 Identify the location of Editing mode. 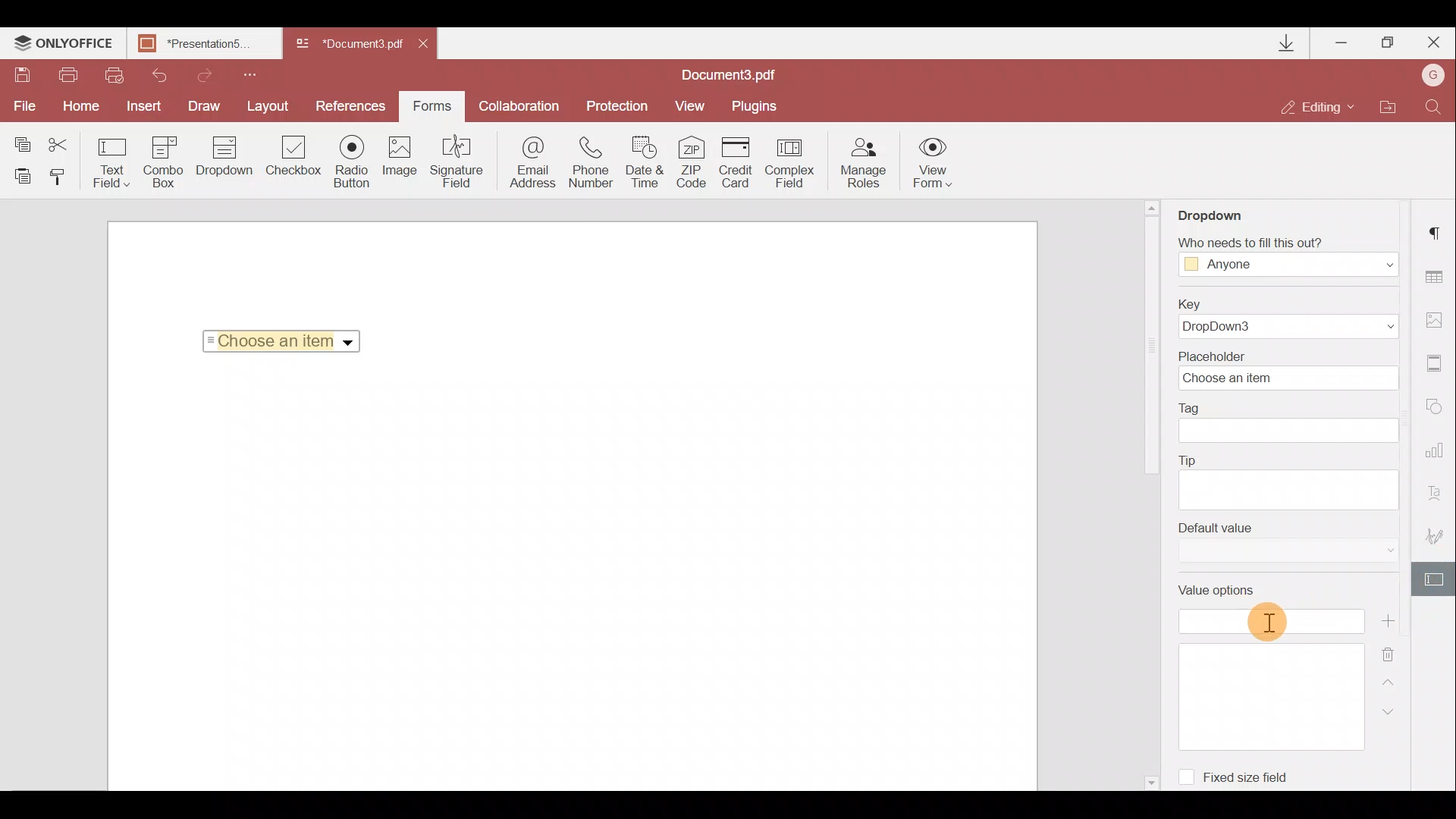
(1319, 108).